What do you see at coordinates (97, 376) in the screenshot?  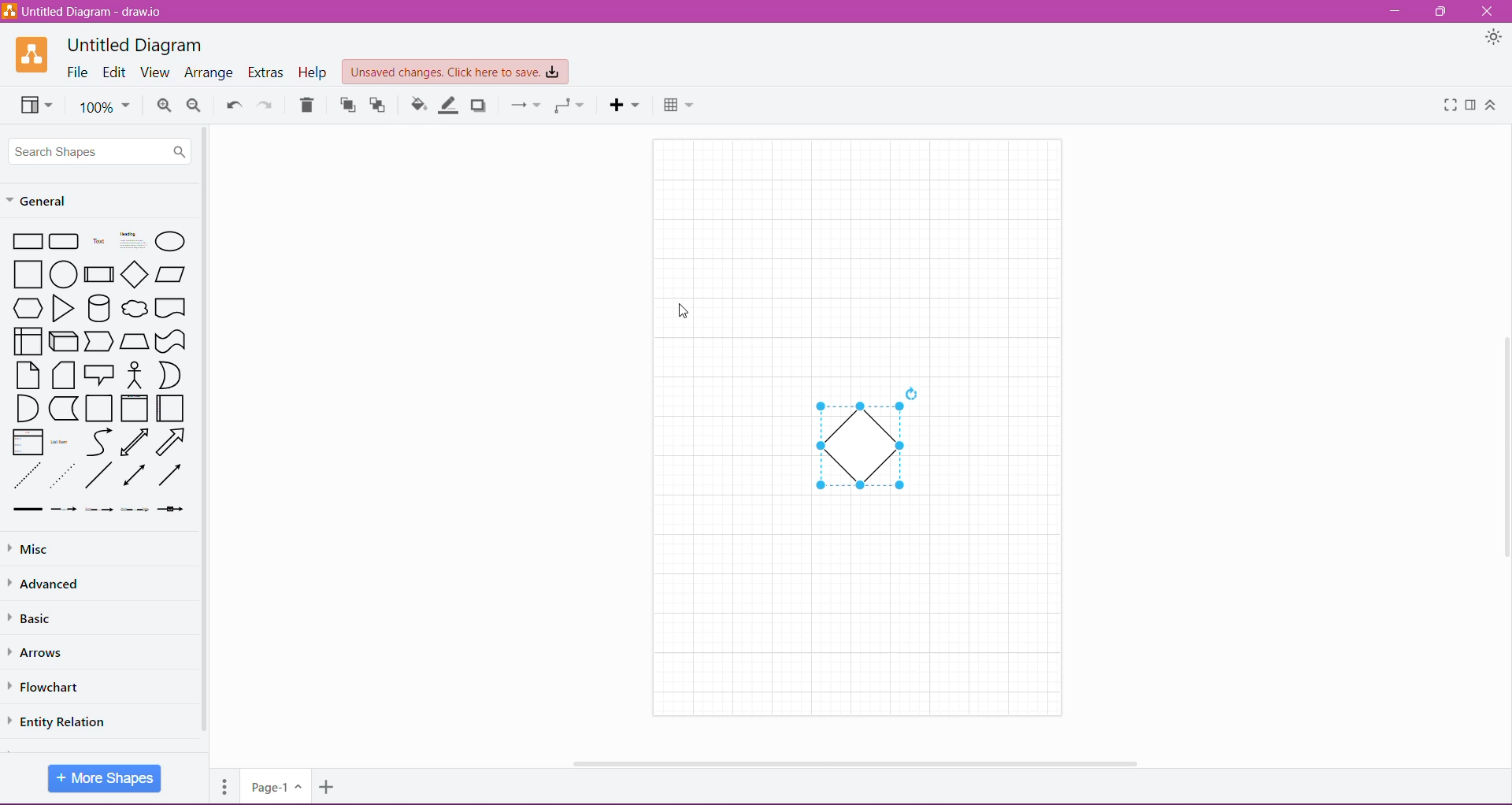 I see `Available Shapes under General` at bounding box center [97, 376].